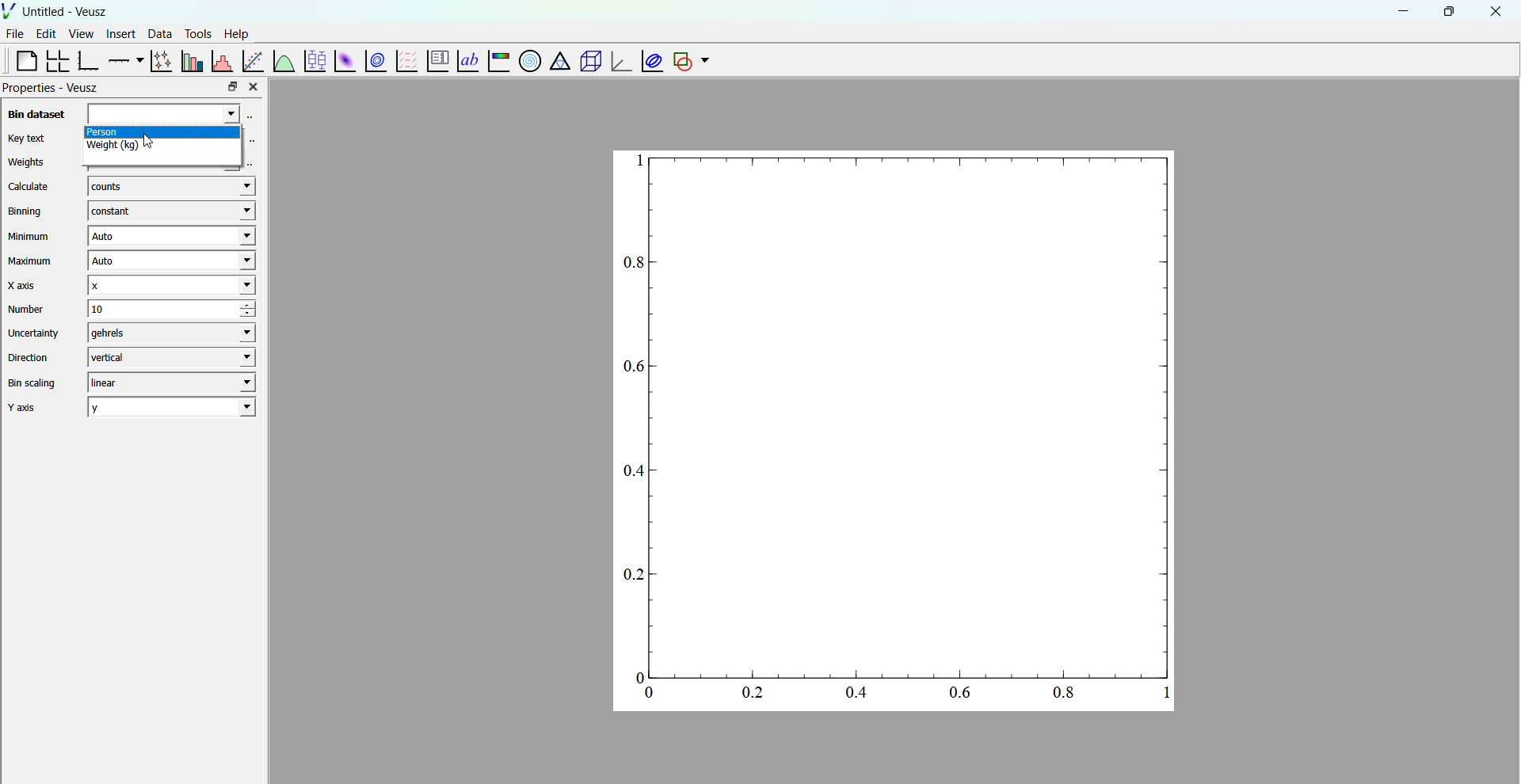  What do you see at coordinates (158, 152) in the screenshot?
I see `cursor` at bounding box center [158, 152].